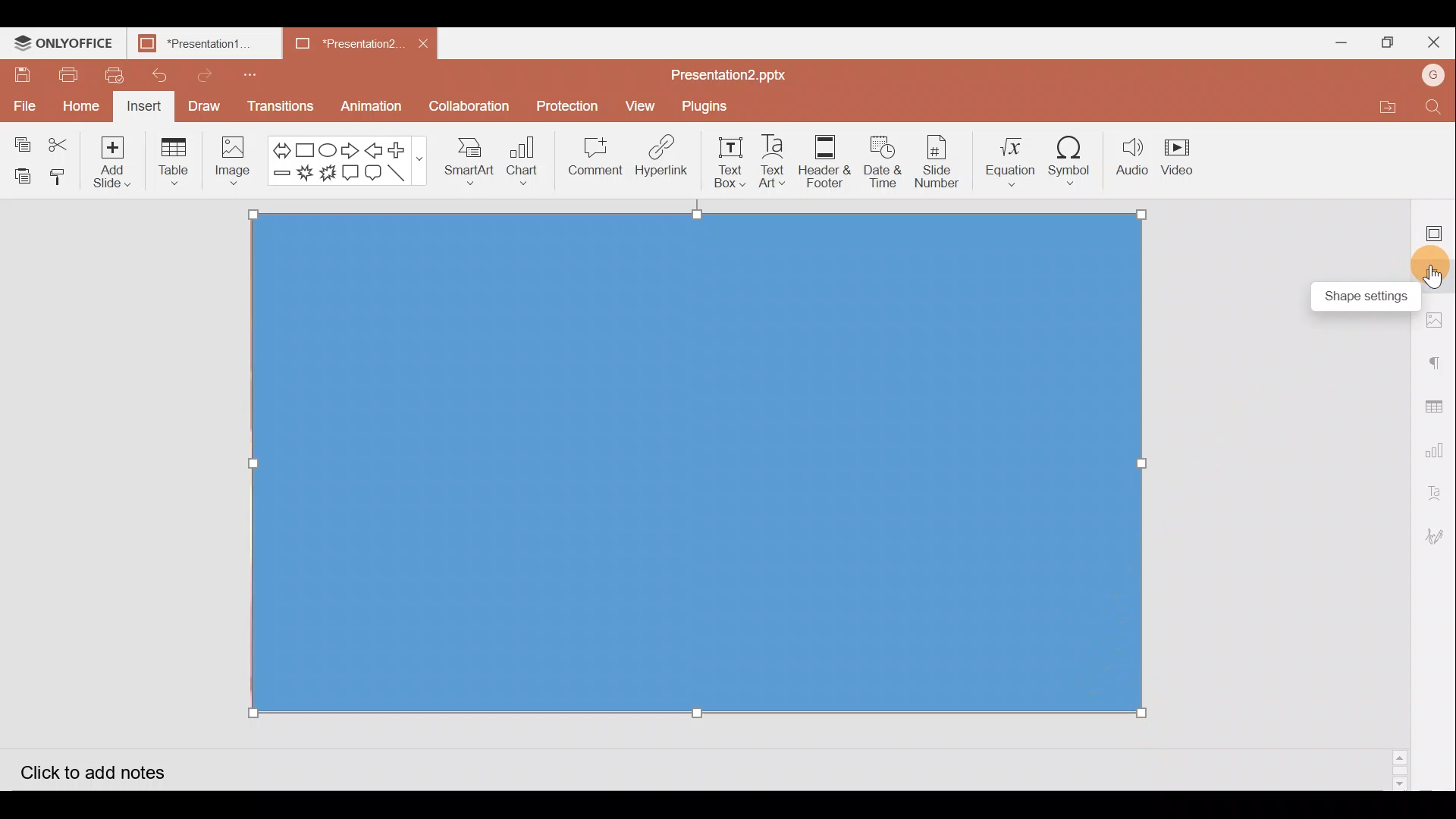 The height and width of the screenshot is (819, 1456). I want to click on Signature settings, so click(1438, 534).